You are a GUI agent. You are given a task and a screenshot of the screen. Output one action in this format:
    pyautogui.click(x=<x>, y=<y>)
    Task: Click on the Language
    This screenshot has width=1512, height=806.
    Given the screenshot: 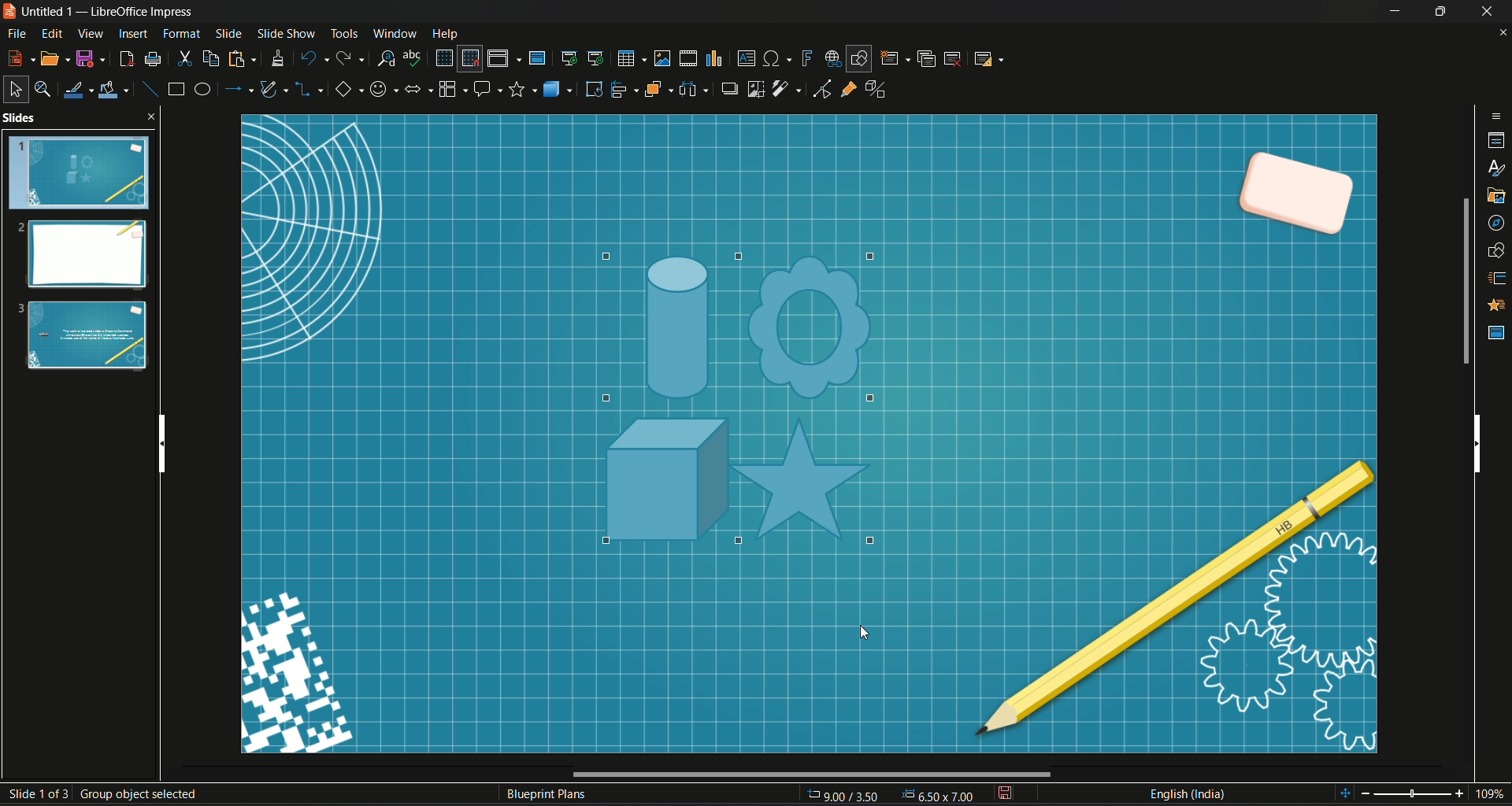 What is the action you would take?
    pyautogui.click(x=1187, y=794)
    